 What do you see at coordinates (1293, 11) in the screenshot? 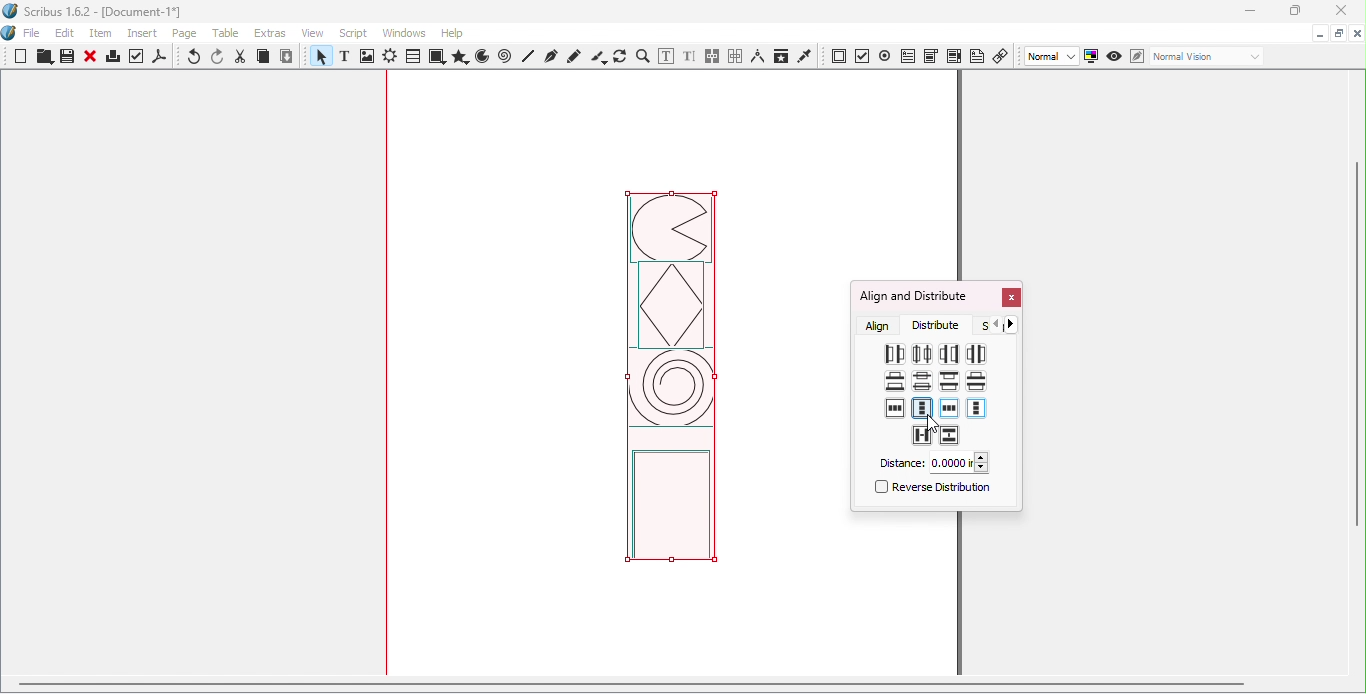
I see `Maximize` at bounding box center [1293, 11].